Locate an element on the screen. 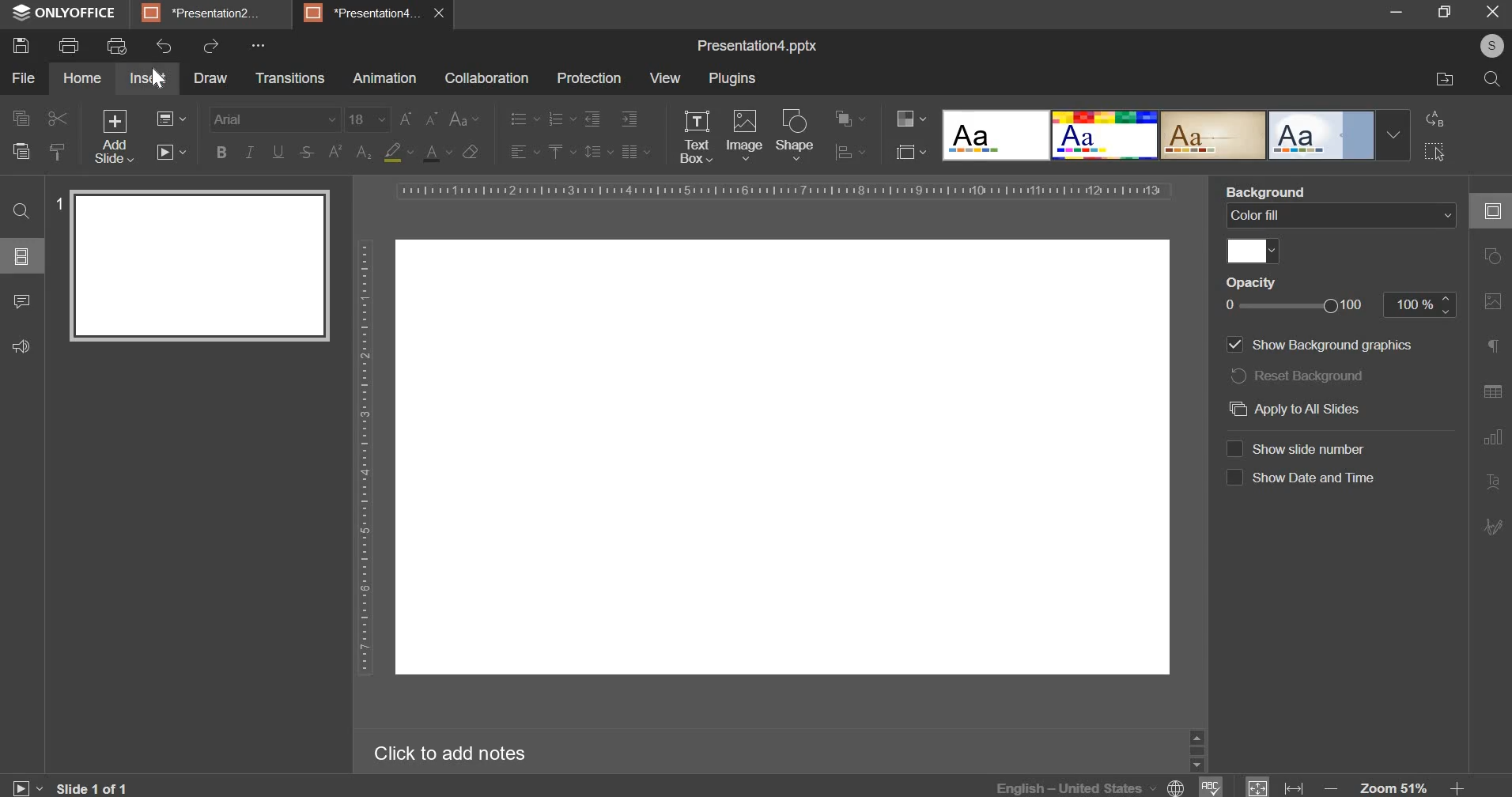 The image size is (1512, 797). zoom is located at coordinates (1394, 788).